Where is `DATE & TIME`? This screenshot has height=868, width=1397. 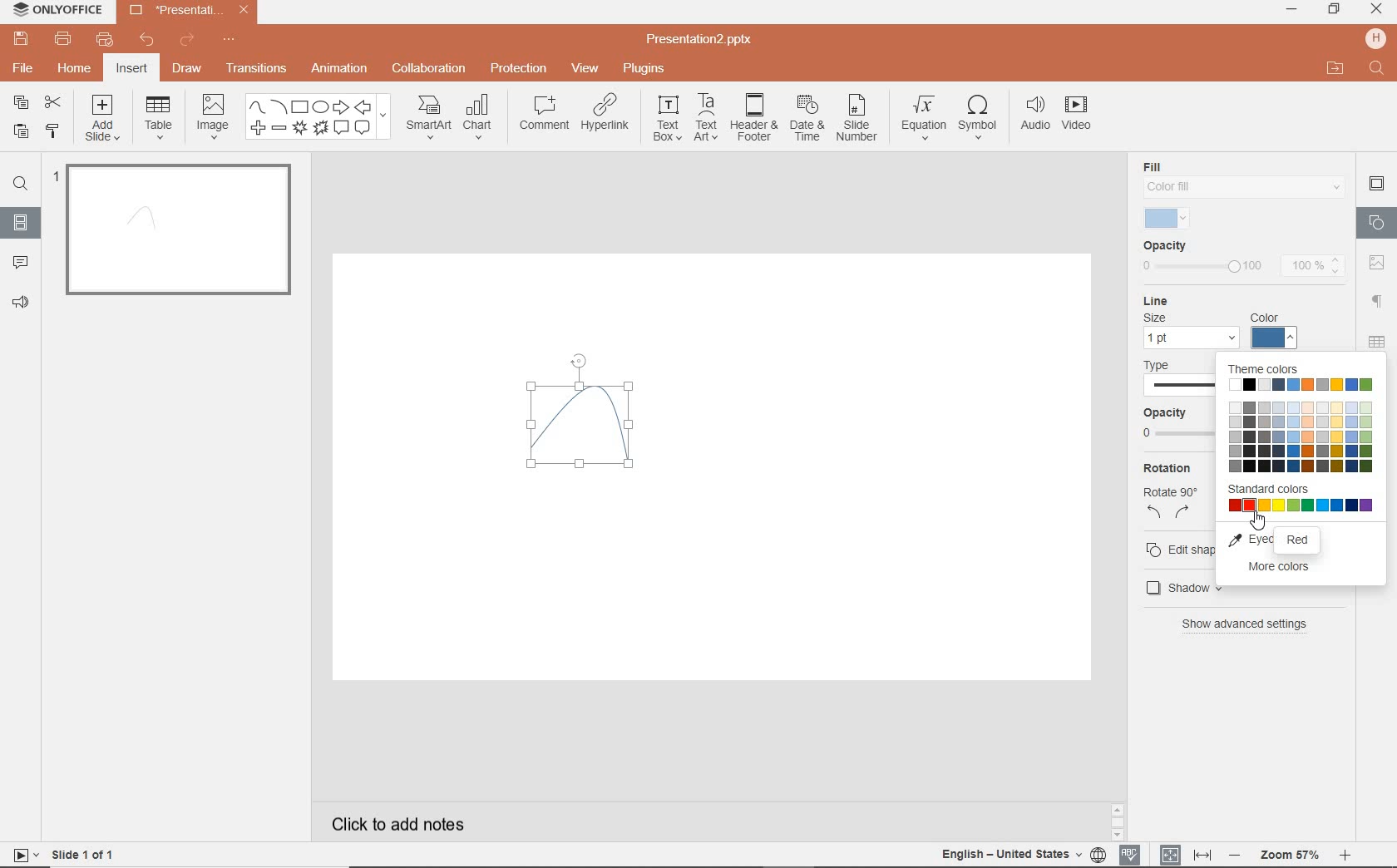
DATE & TIME is located at coordinates (807, 121).